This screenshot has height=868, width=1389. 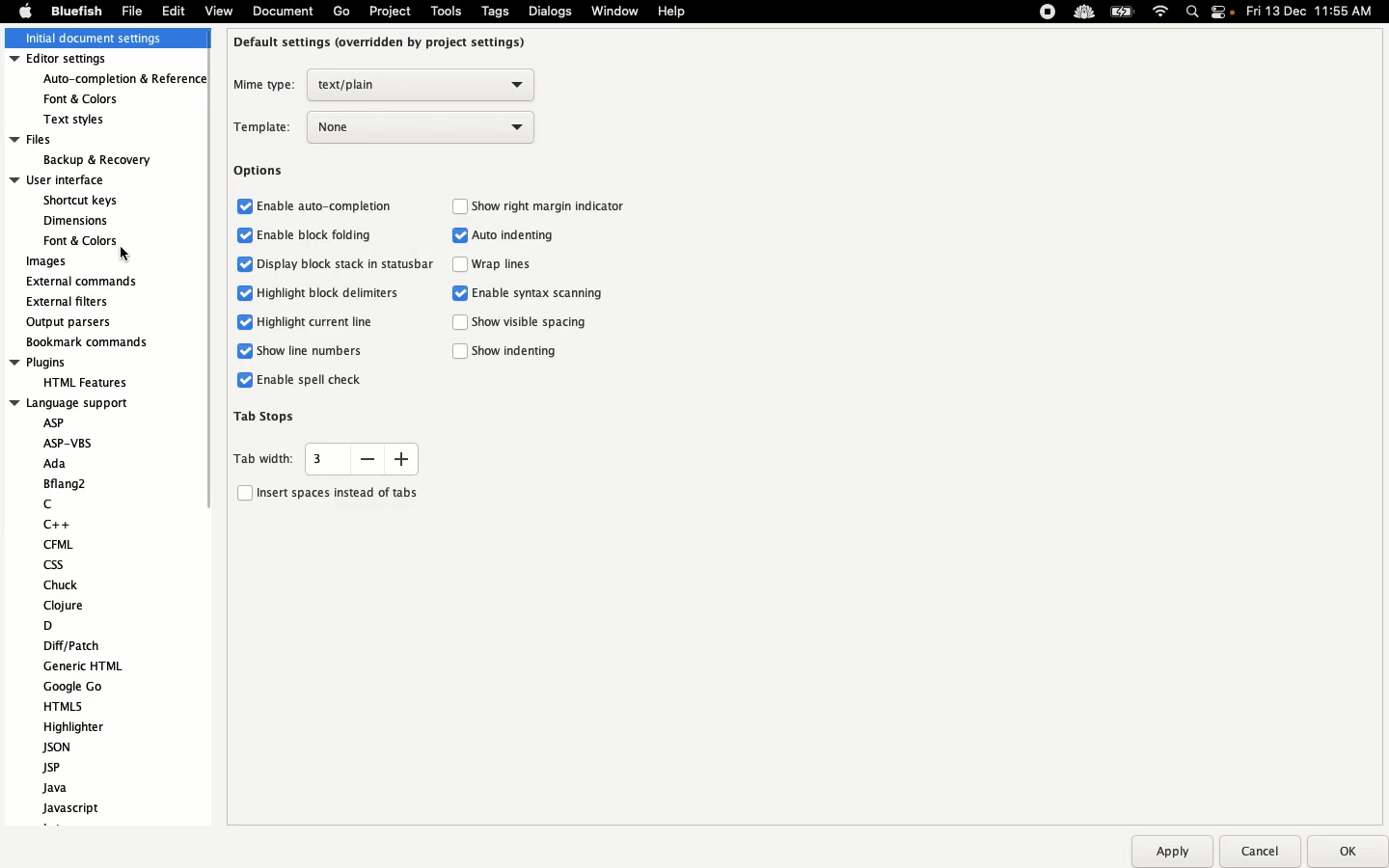 I want to click on dimension, so click(x=75, y=220).